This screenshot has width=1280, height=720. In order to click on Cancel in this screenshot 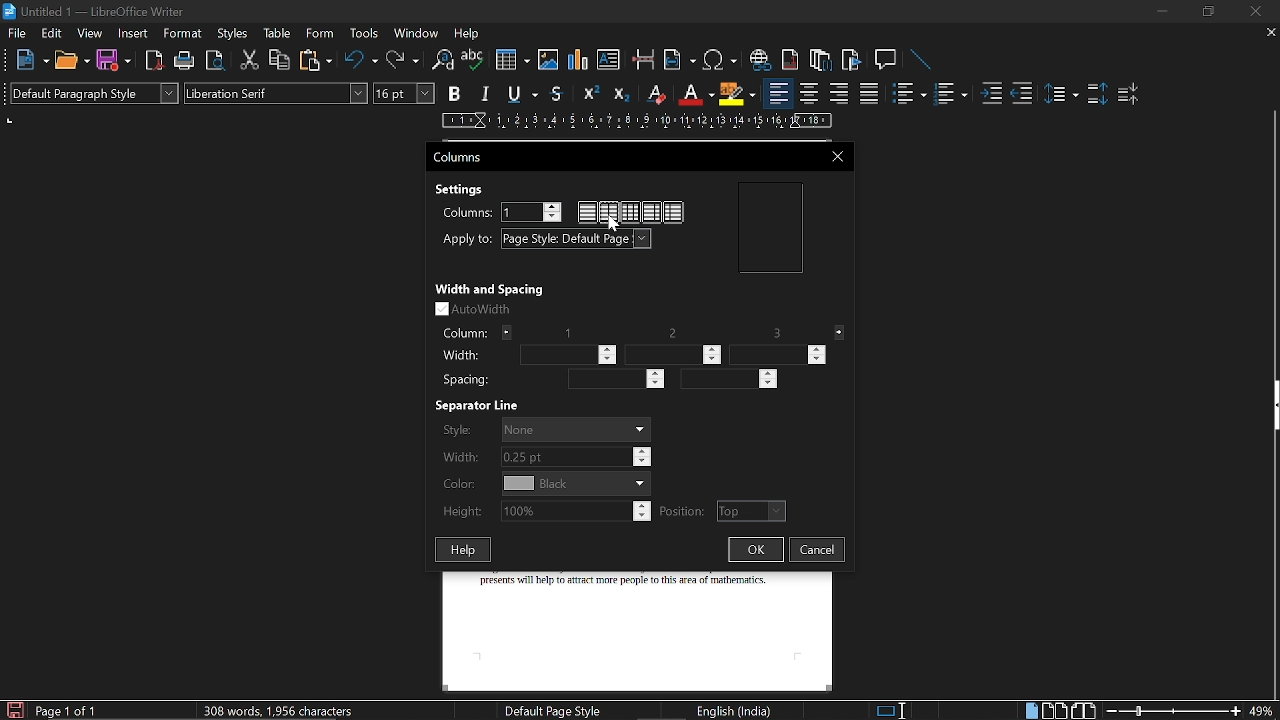, I will do `click(820, 552)`.